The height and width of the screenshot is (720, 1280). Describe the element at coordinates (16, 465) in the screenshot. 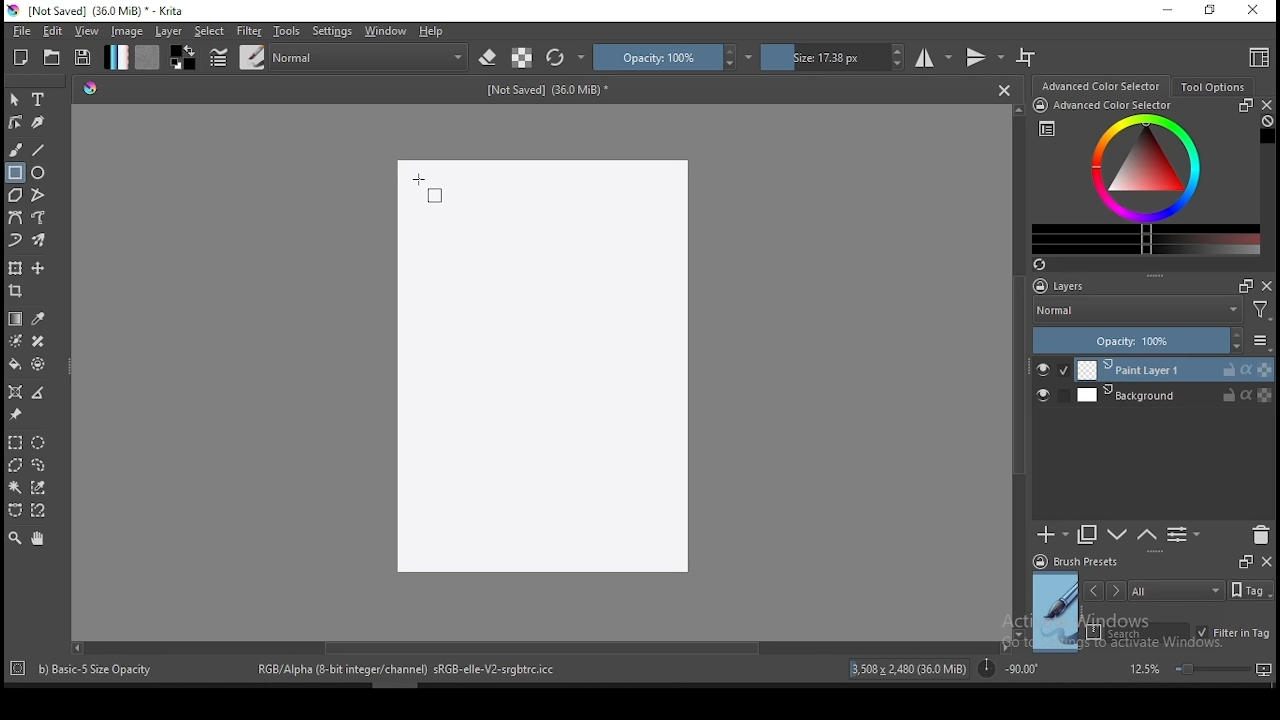

I see `polygon selection tool` at that location.